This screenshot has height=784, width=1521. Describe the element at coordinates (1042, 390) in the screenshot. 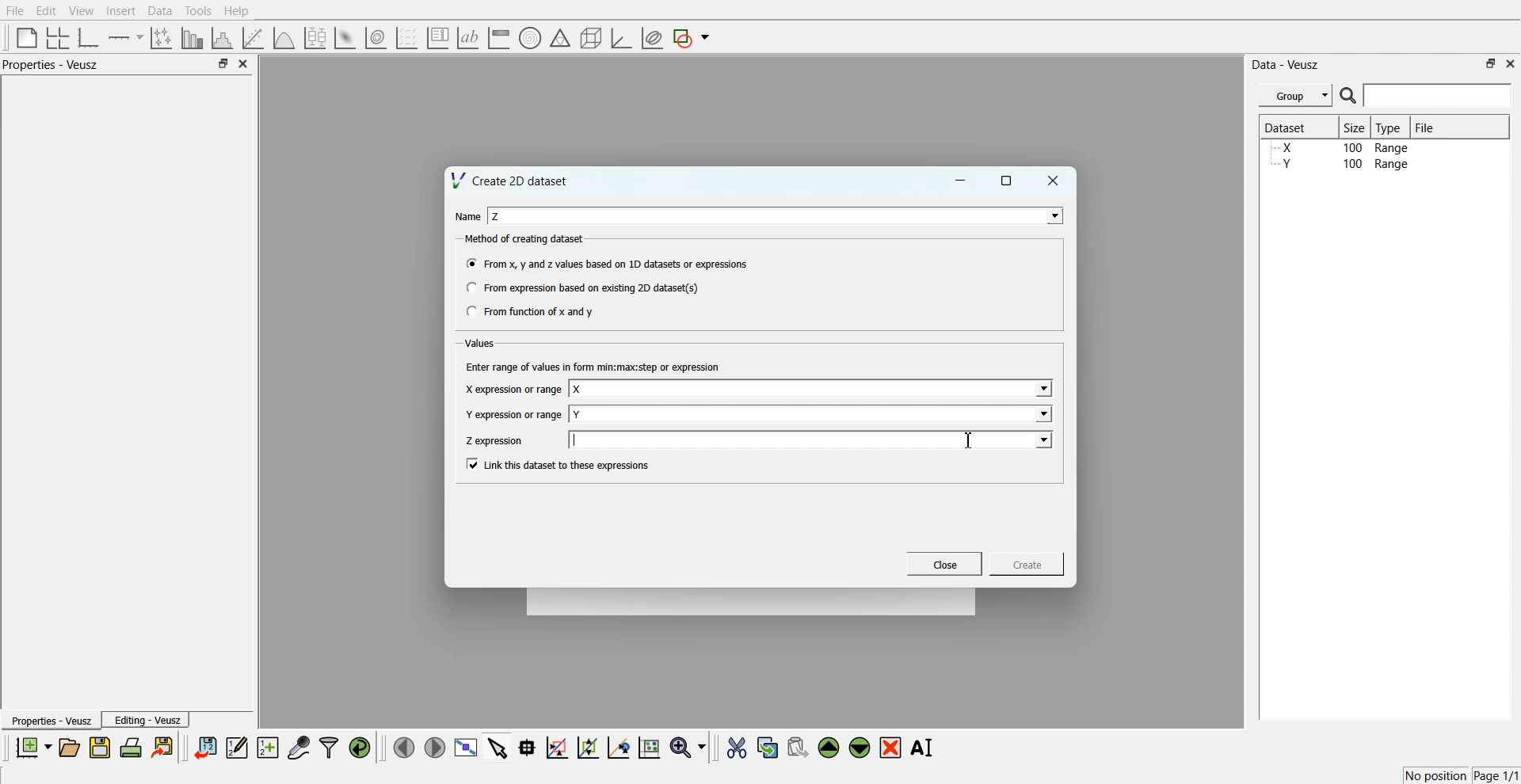

I see `Drop down` at that location.